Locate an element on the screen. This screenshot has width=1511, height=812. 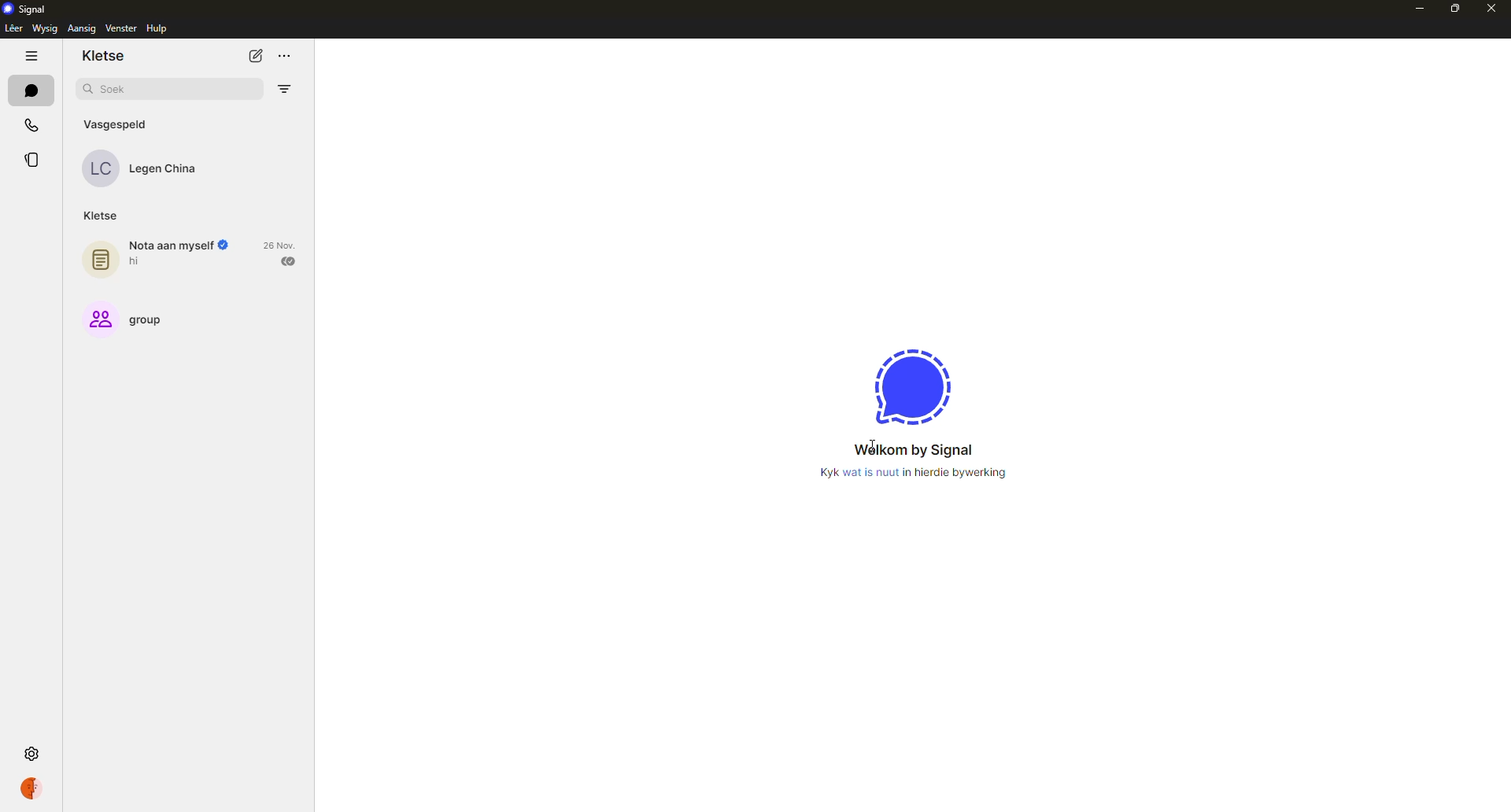
stories is located at coordinates (34, 160).